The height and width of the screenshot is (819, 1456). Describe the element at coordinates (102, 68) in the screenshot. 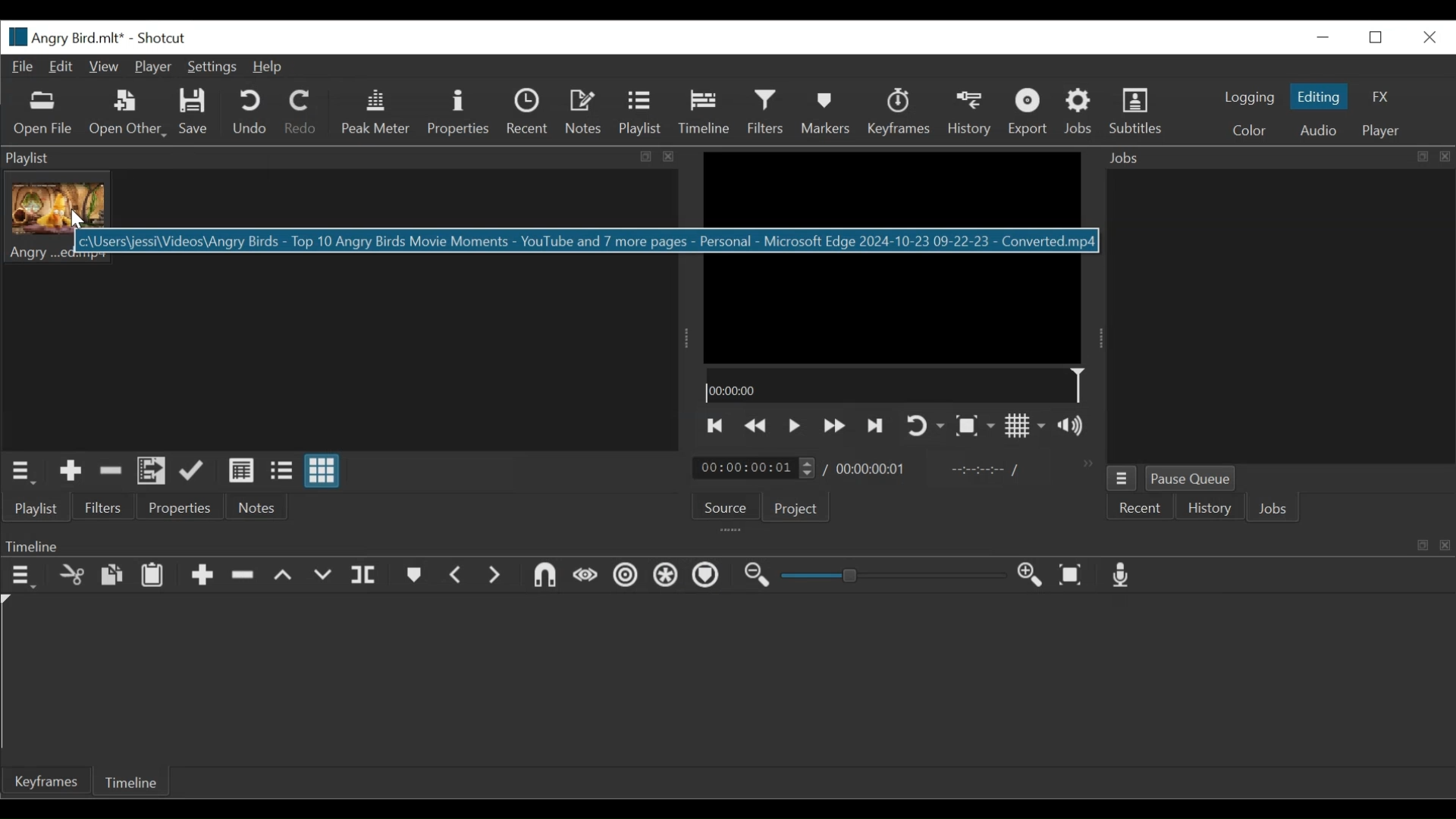

I see `` at that location.